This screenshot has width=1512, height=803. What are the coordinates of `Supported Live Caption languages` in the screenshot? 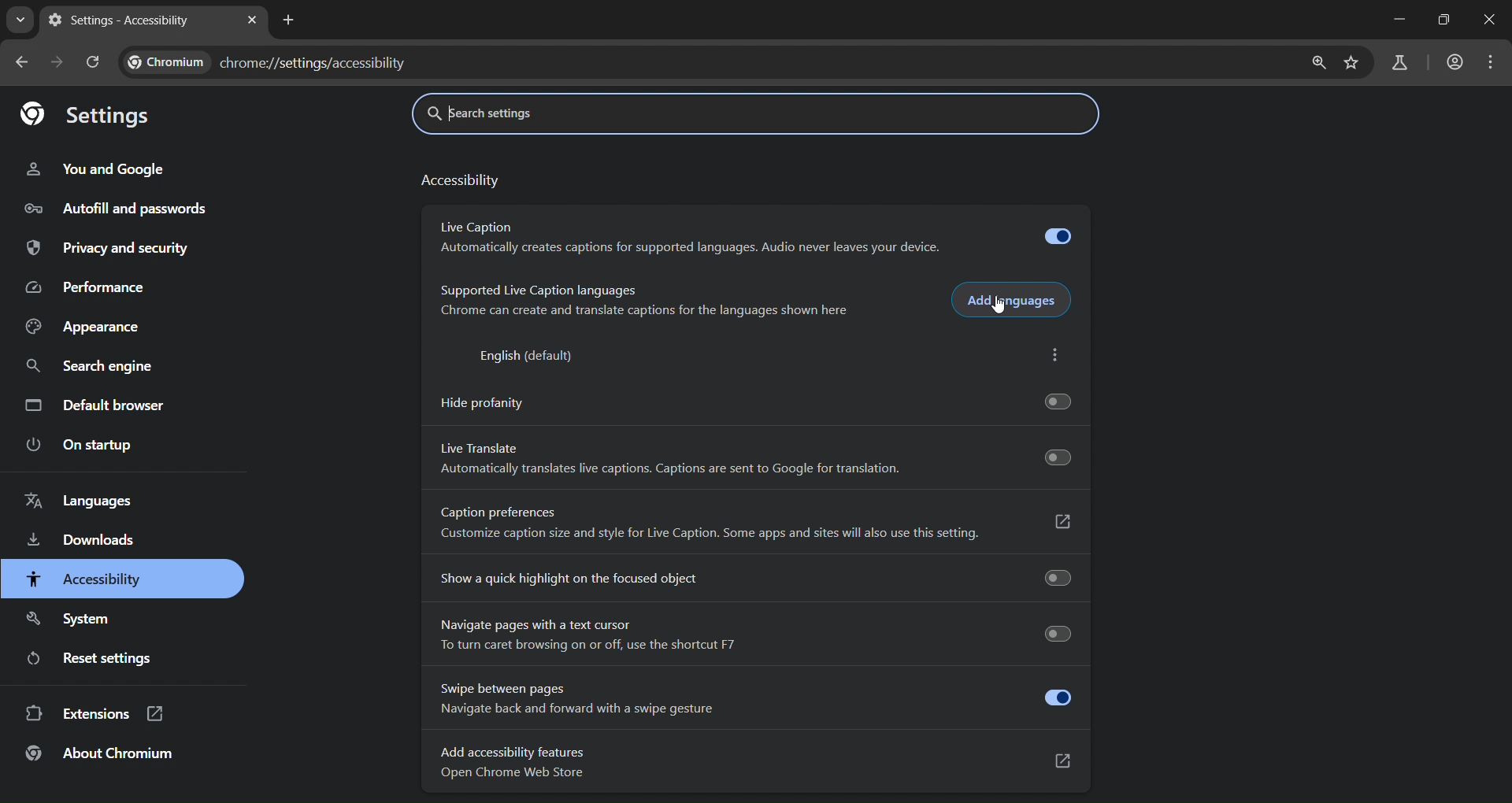 It's located at (541, 288).